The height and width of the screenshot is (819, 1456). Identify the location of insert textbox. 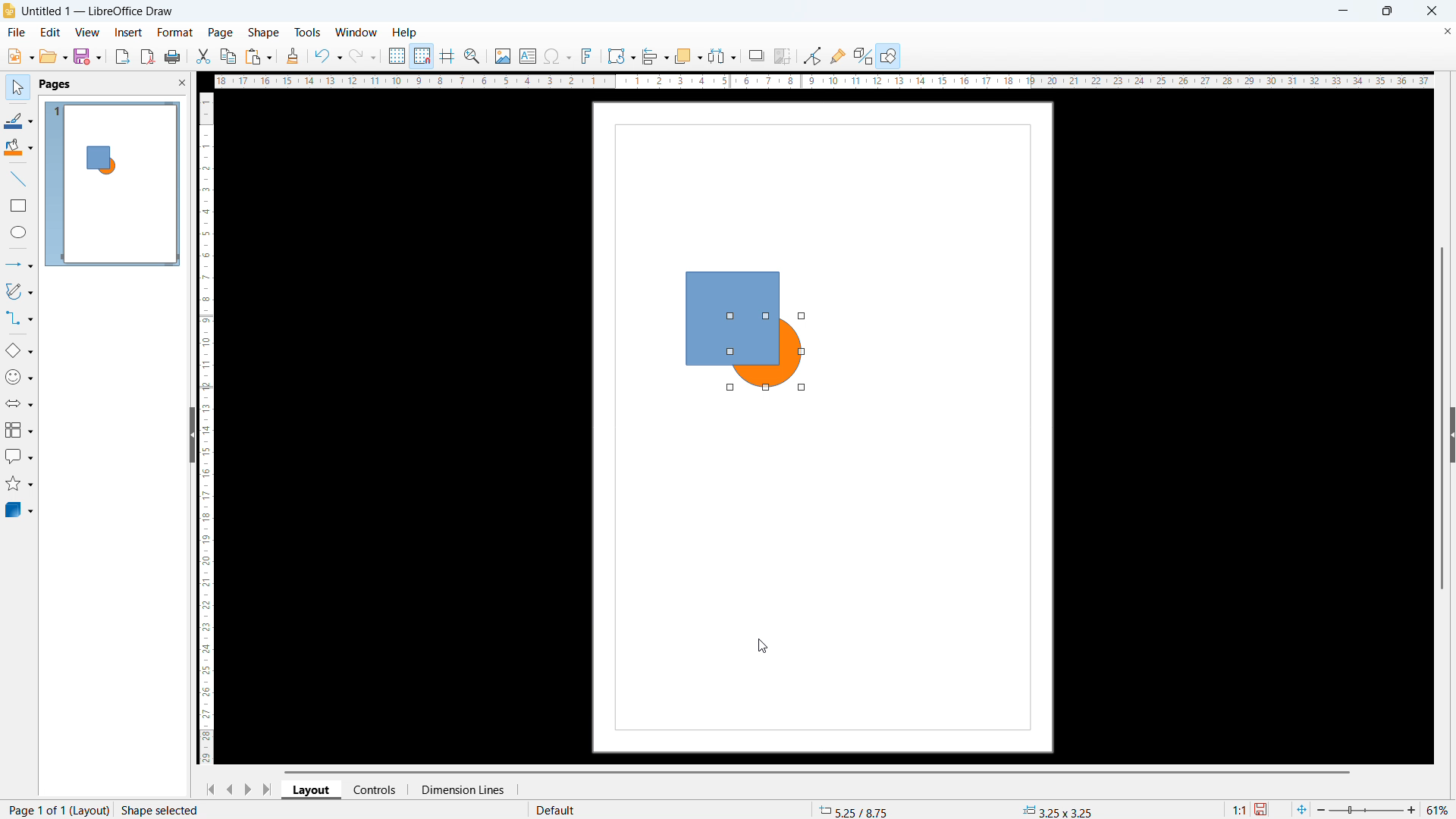
(528, 55).